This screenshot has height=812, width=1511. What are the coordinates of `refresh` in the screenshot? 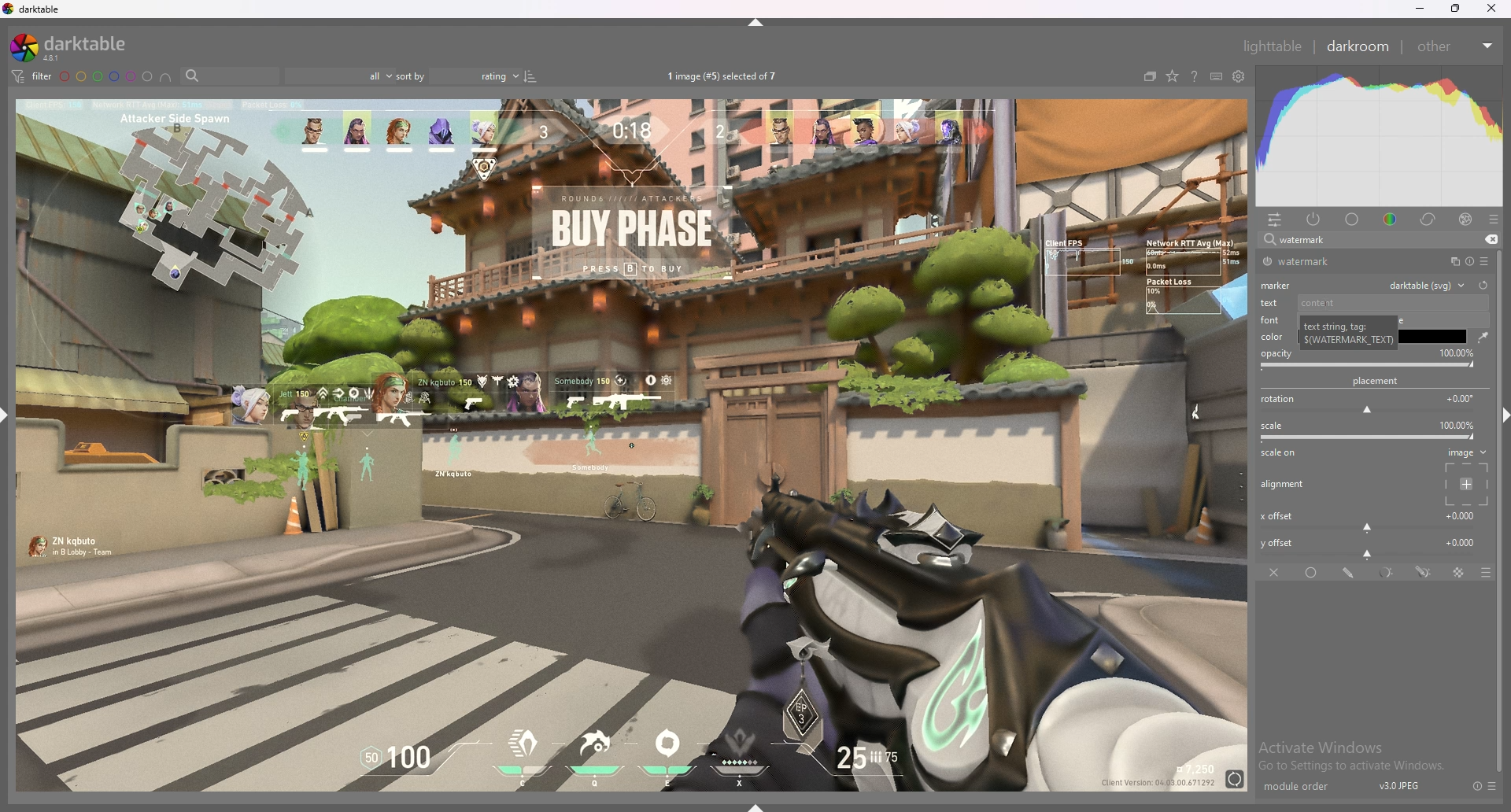 It's located at (1483, 285).